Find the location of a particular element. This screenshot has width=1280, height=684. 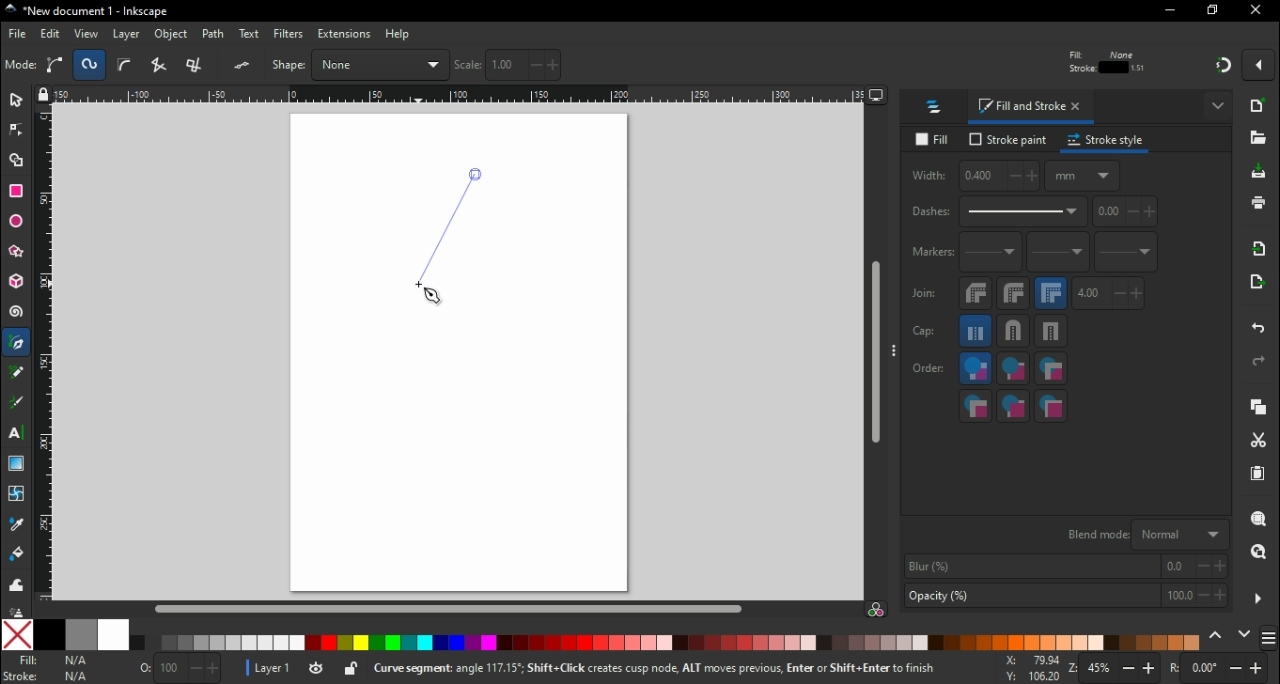

mesh tool is located at coordinates (14, 495).